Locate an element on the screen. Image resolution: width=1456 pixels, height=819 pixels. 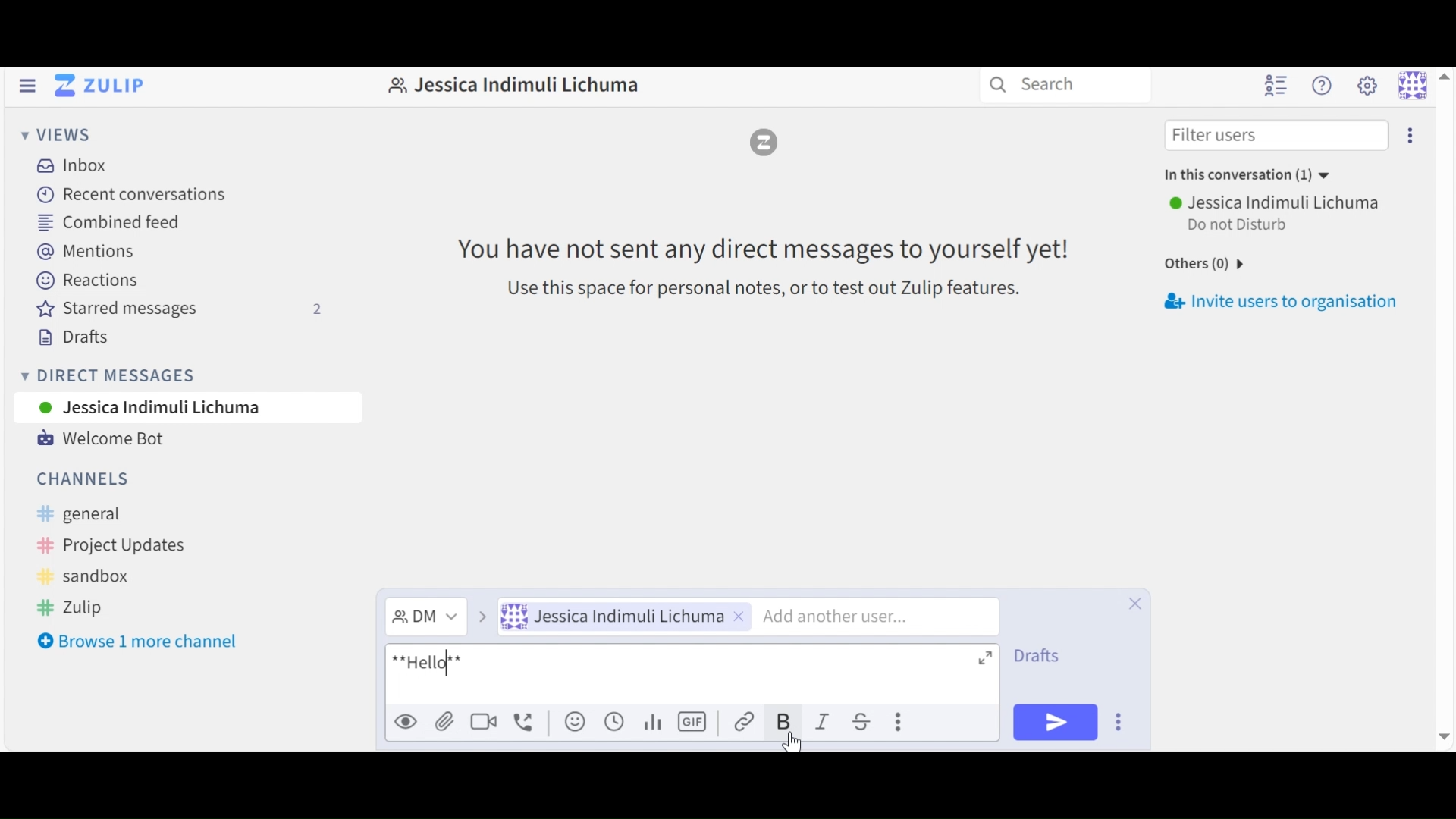
Browse more channel is located at coordinates (137, 644).